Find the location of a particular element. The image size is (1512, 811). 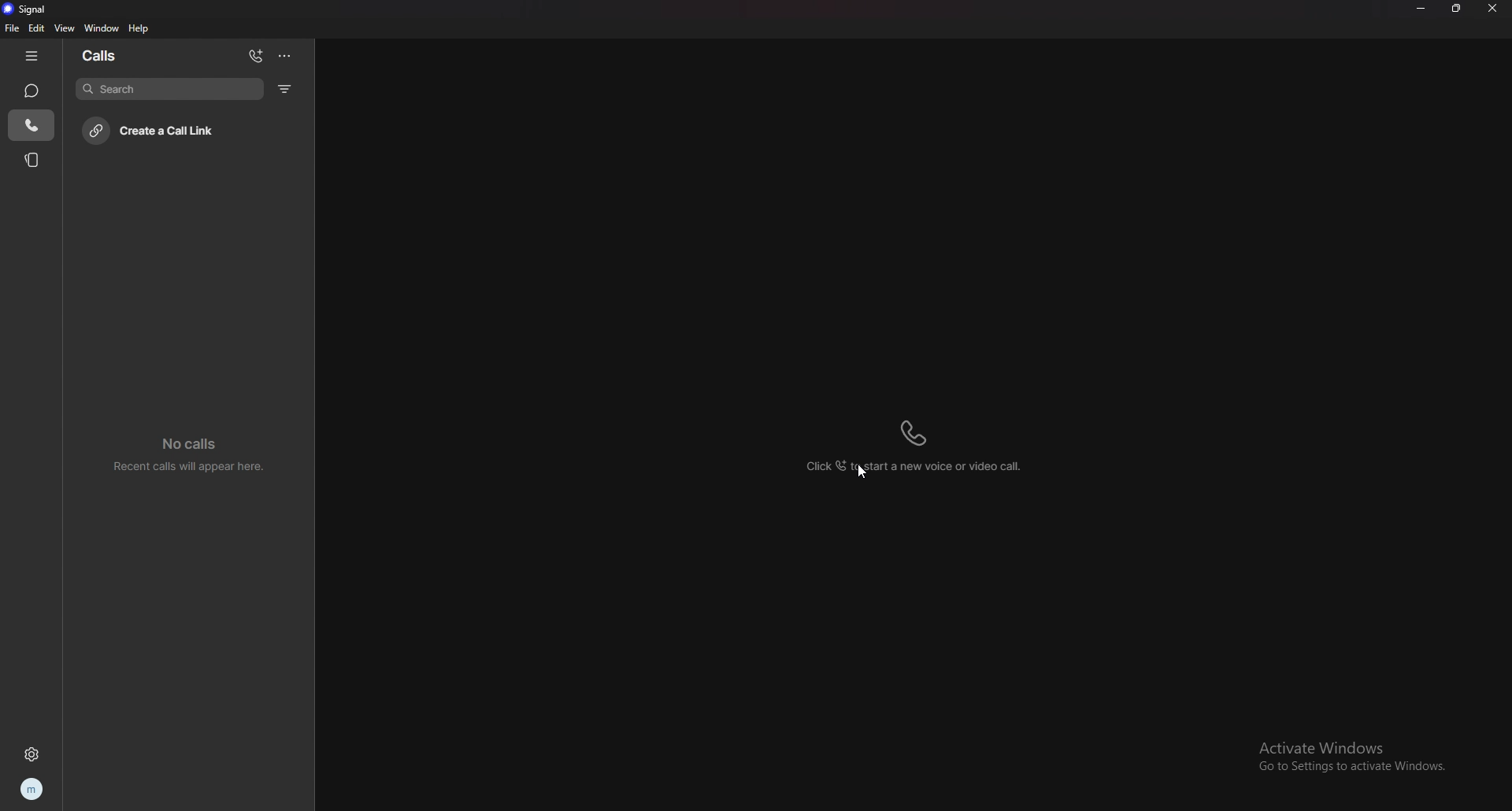

filter is located at coordinates (288, 88).